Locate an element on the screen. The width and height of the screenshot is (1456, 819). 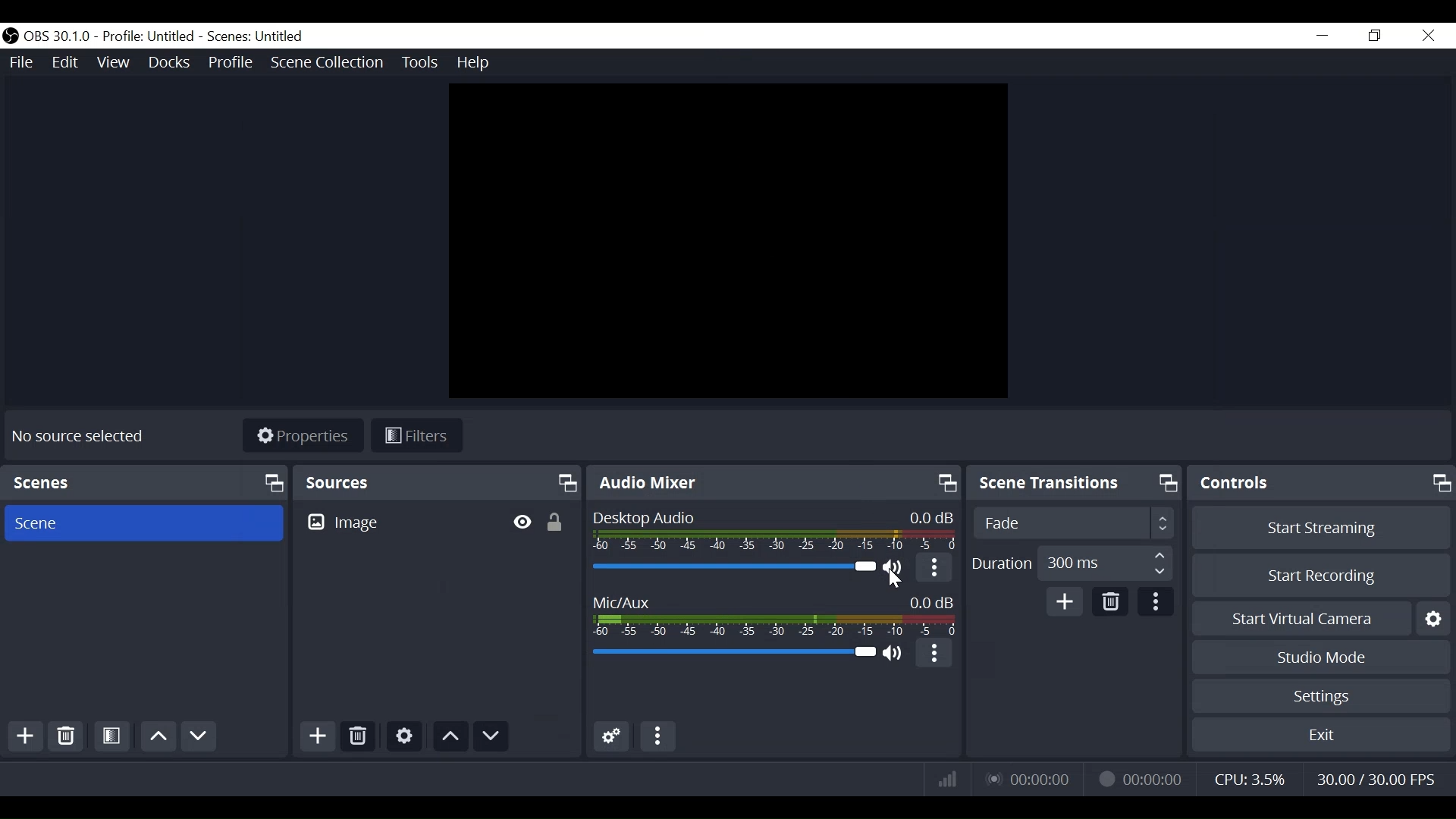
Preview is located at coordinates (730, 241).